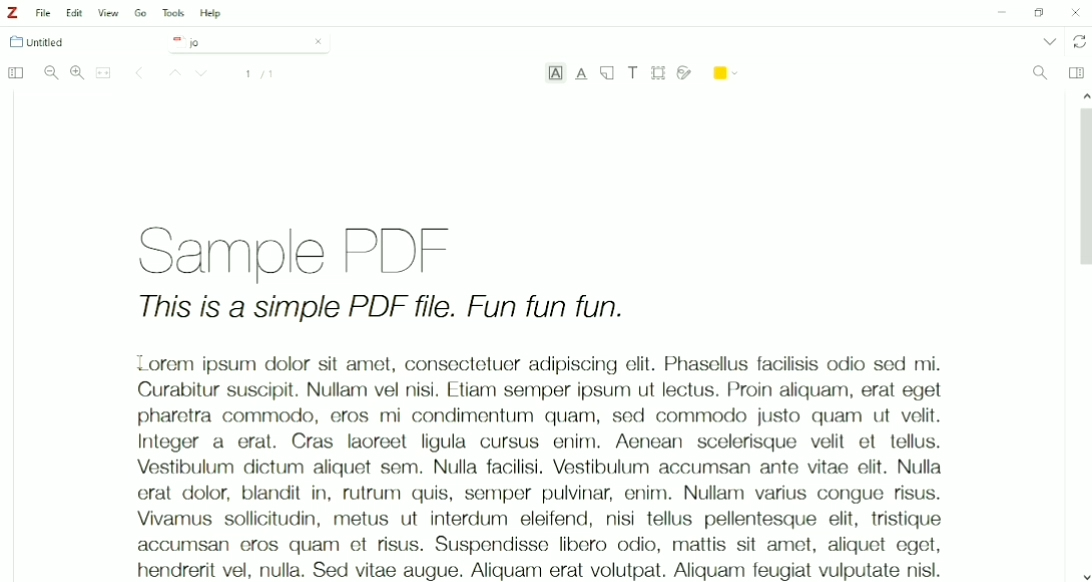 This screenshot has width=1092, height=582. I want to click on Vertical scrollbar, so click(1082, 192).